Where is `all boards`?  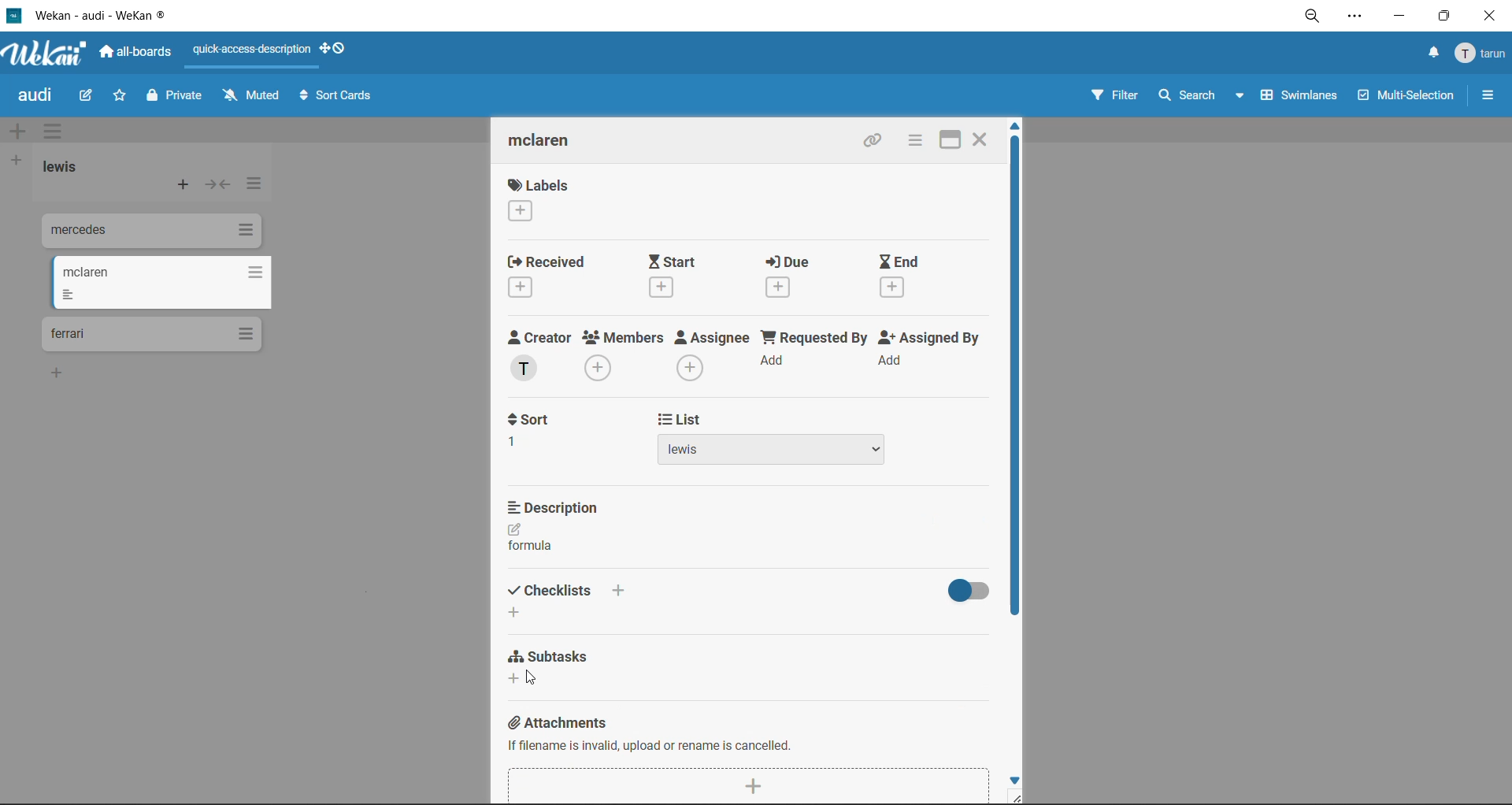 all boards is located at coordinates (136, 52).